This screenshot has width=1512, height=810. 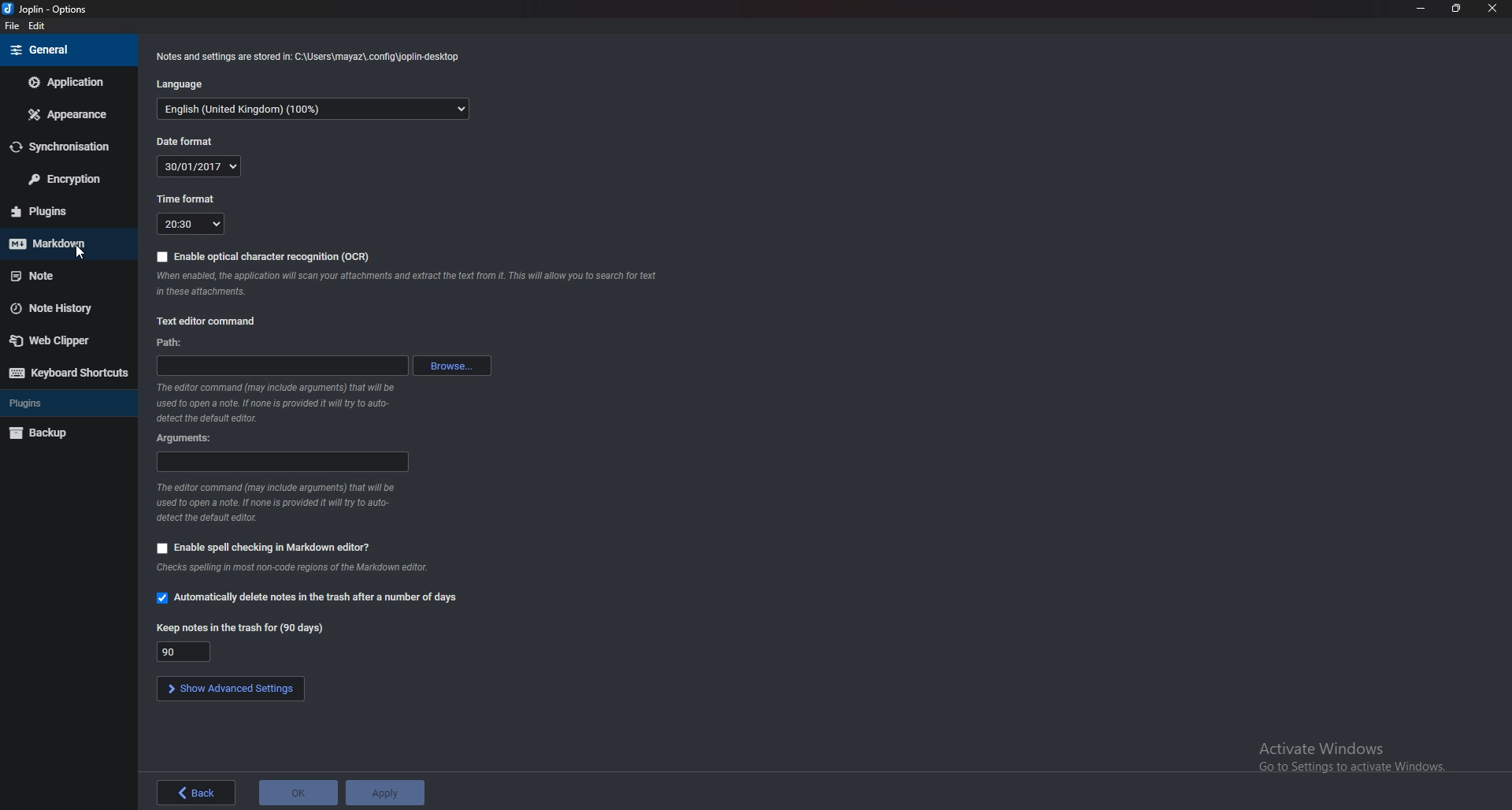 What do you see at coordinates (308, 598) in the screenshot?
I see `Automatically delete notes in the trash after a number of days` at bounding box center [308, 598].